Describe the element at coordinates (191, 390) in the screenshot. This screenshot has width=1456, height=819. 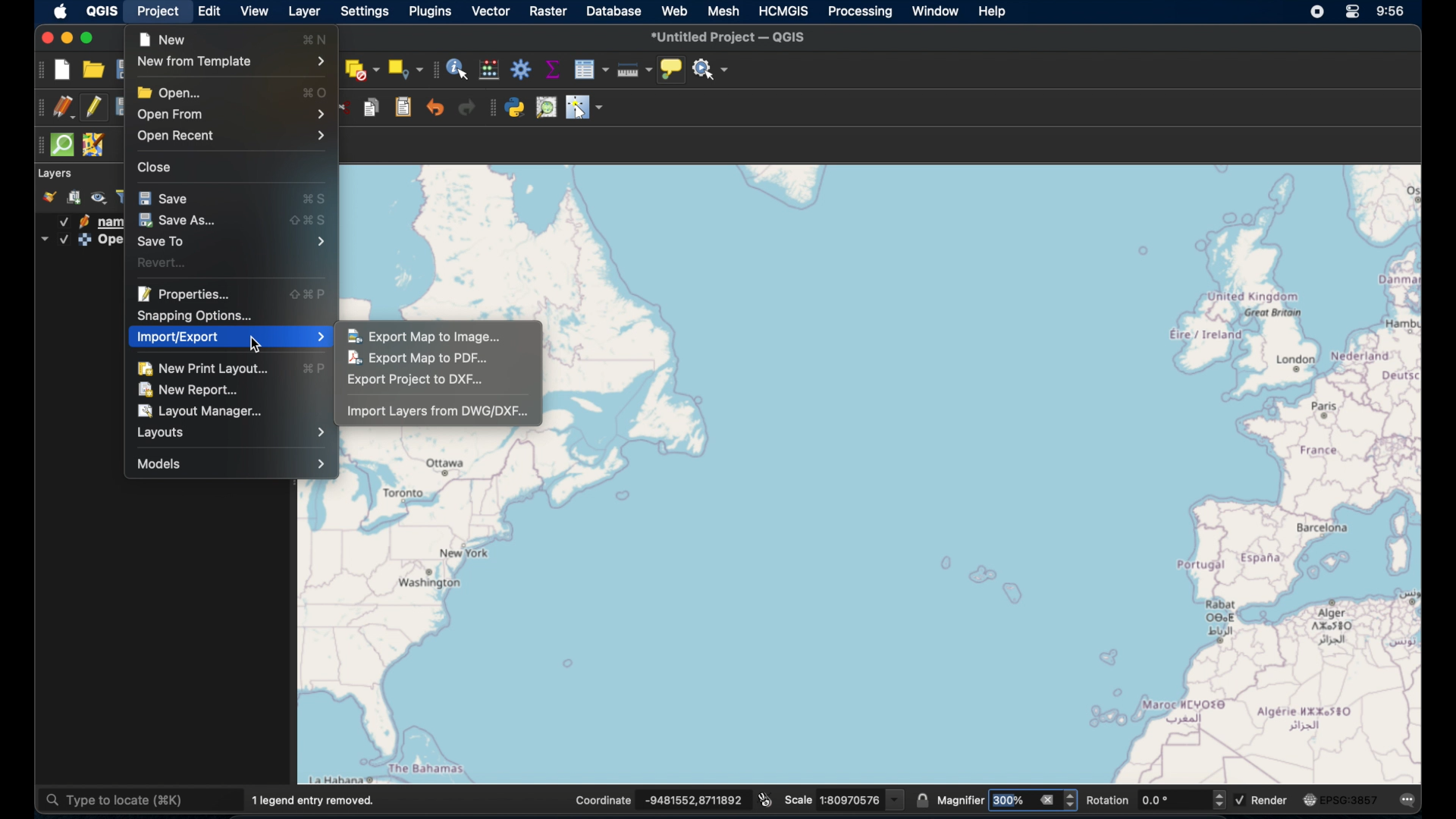
I see `new report` at that location.